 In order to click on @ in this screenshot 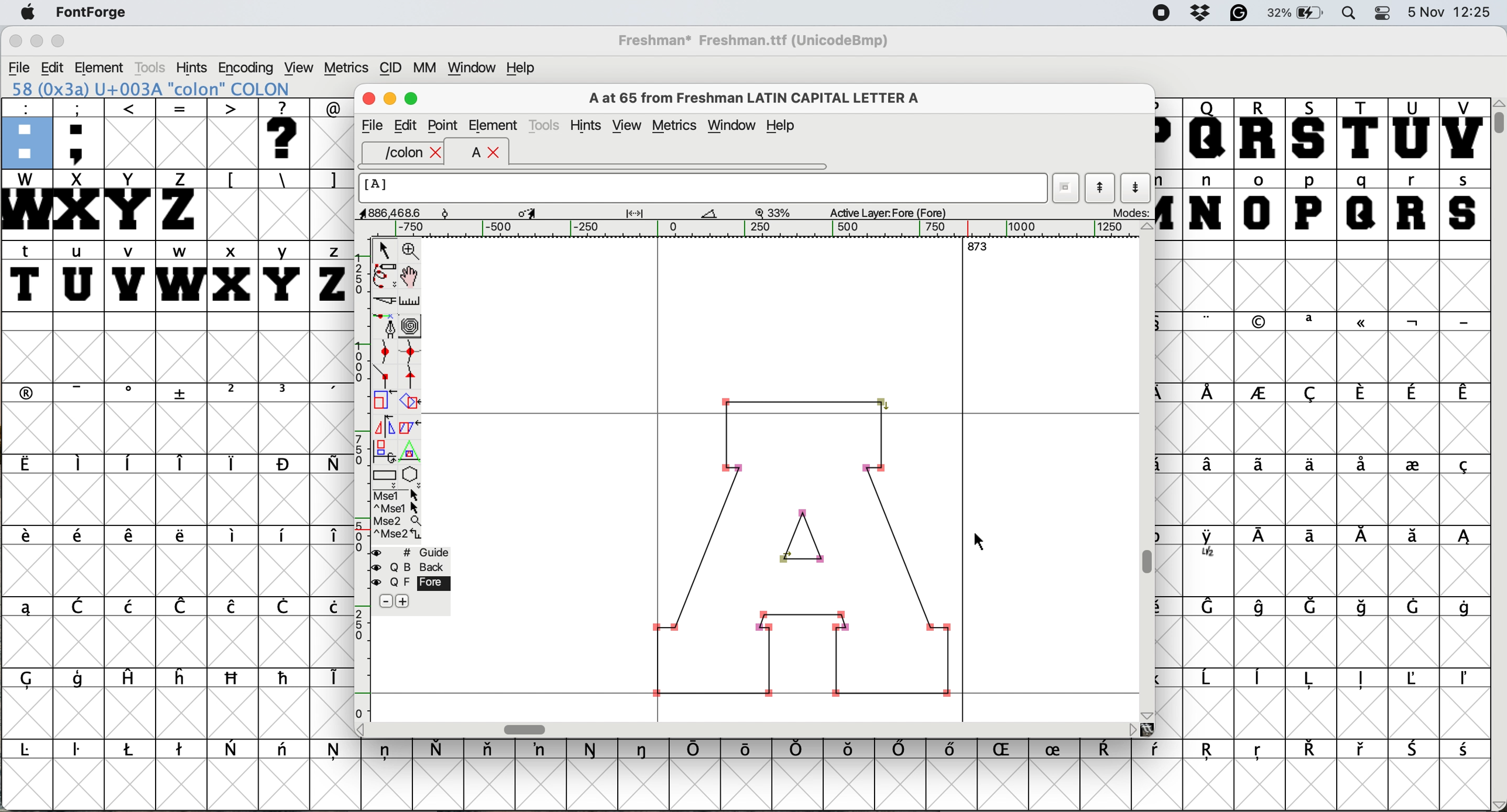, I will do `click(331, 106)`.